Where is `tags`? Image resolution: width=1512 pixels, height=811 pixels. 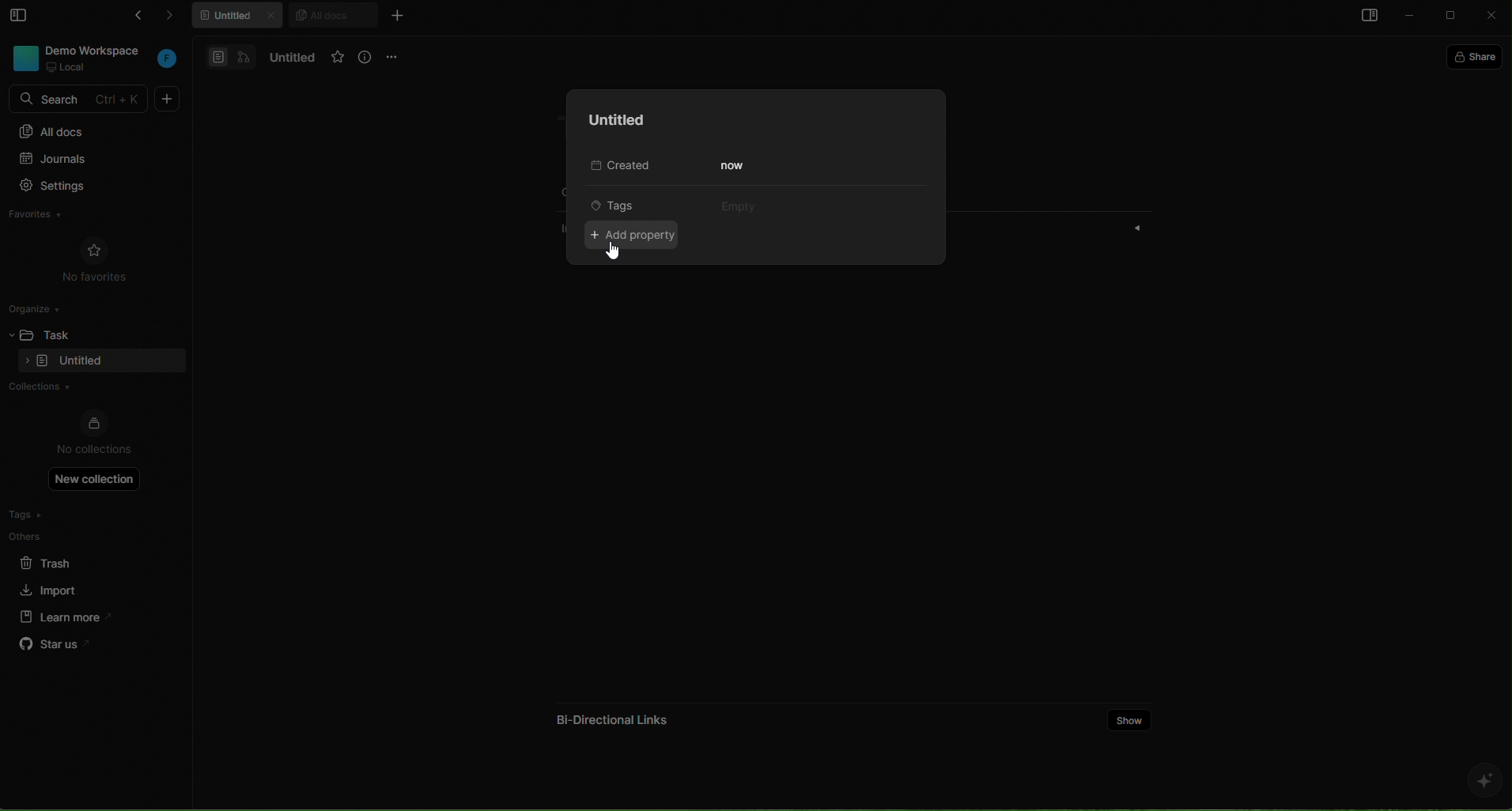
tags is located at coordinates (58, 515).